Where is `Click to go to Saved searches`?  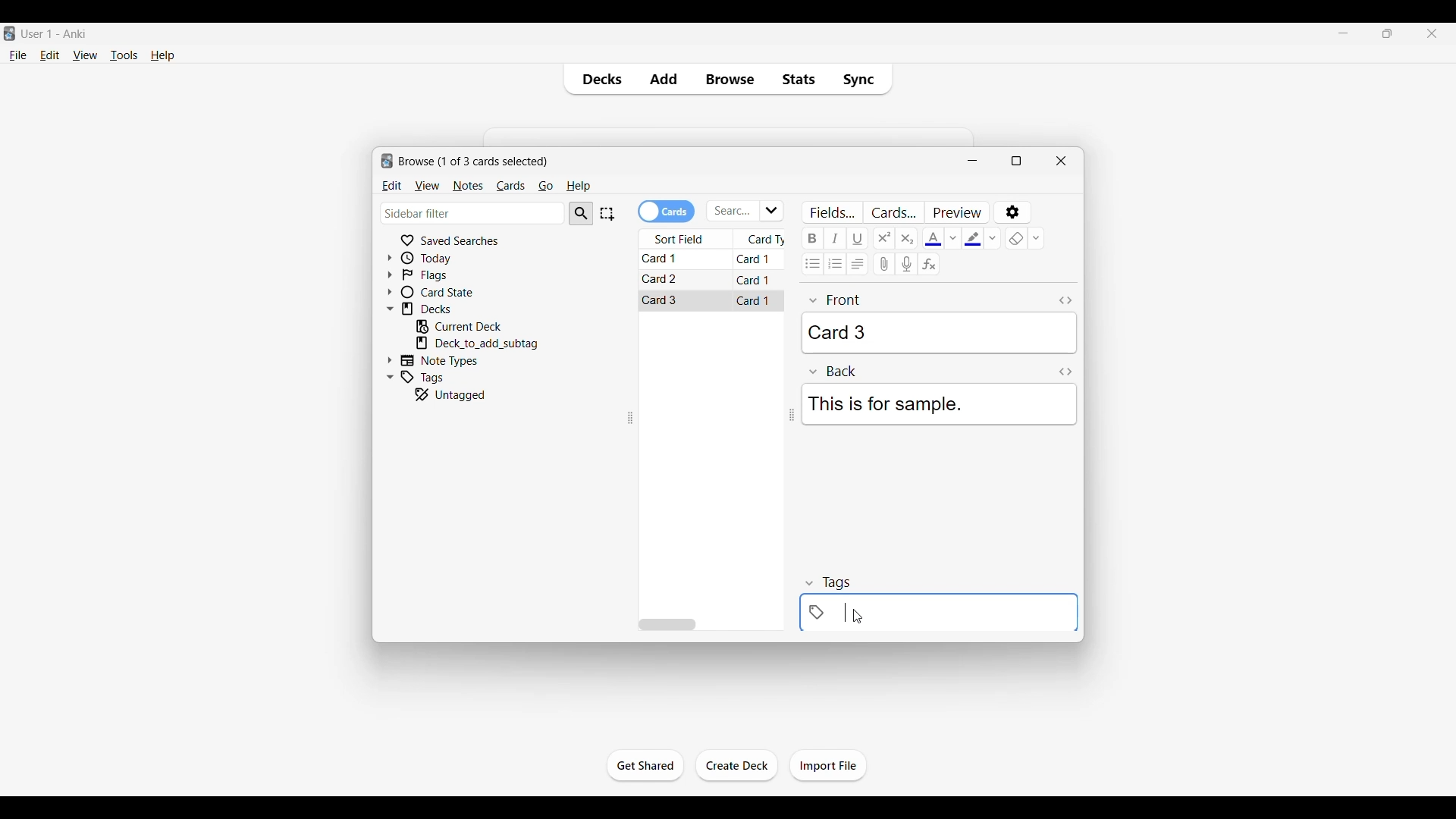 Click to go to Saved searches is located at coordinates (448, 240).